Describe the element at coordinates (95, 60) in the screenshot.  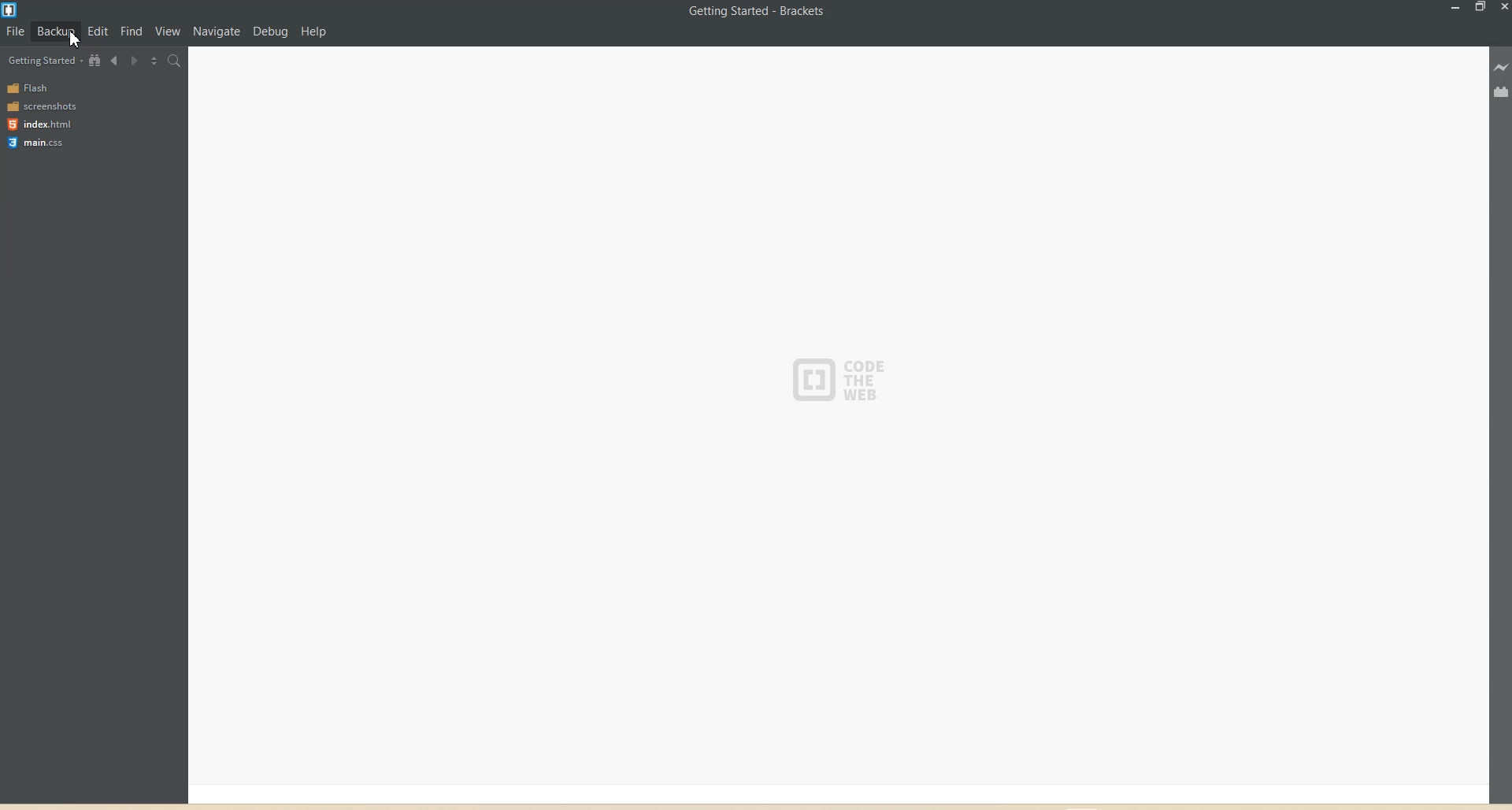
I see `View in file Tree` at that location.